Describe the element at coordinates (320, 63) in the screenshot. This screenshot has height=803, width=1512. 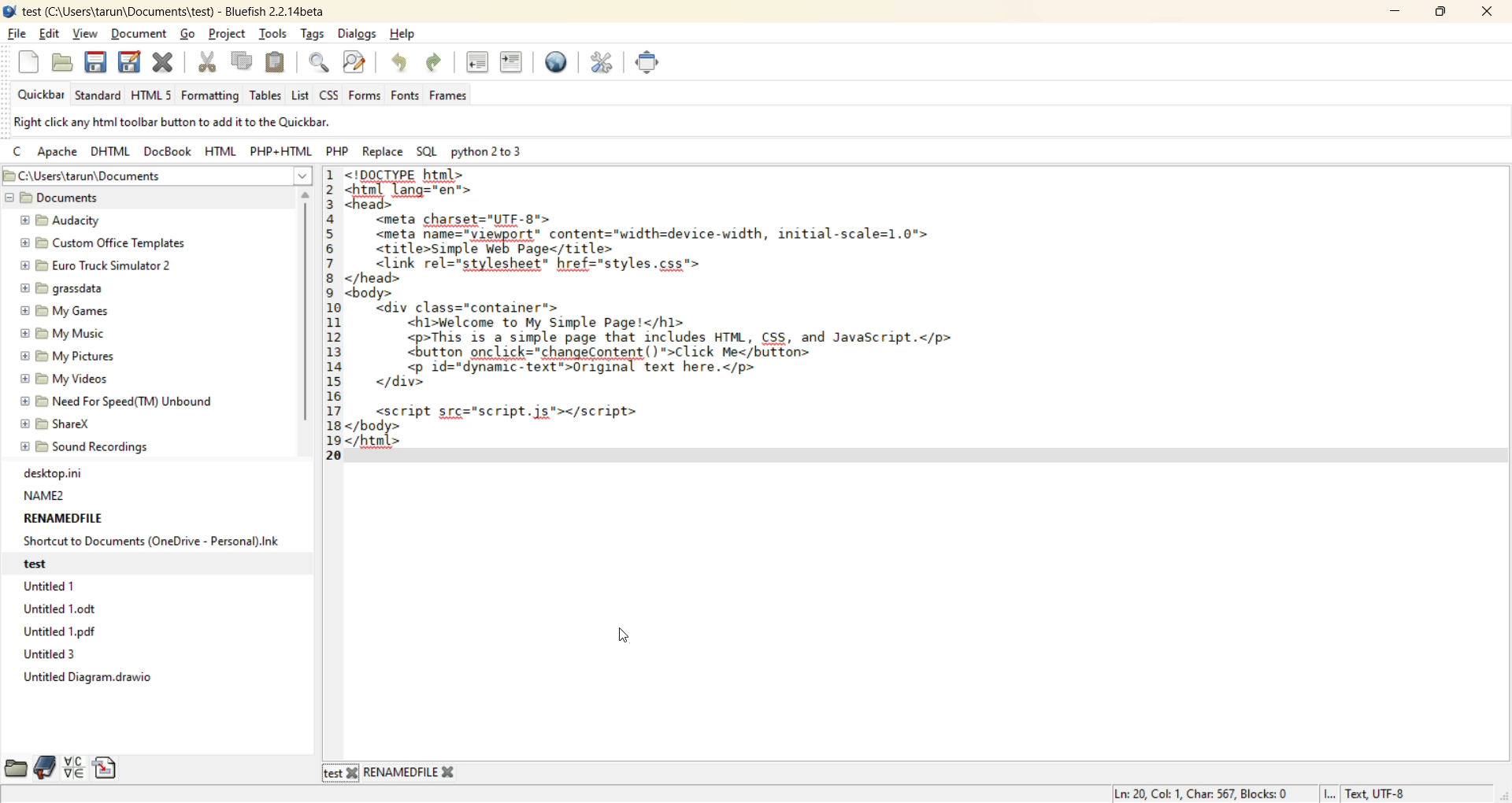
I see `find` at that location.